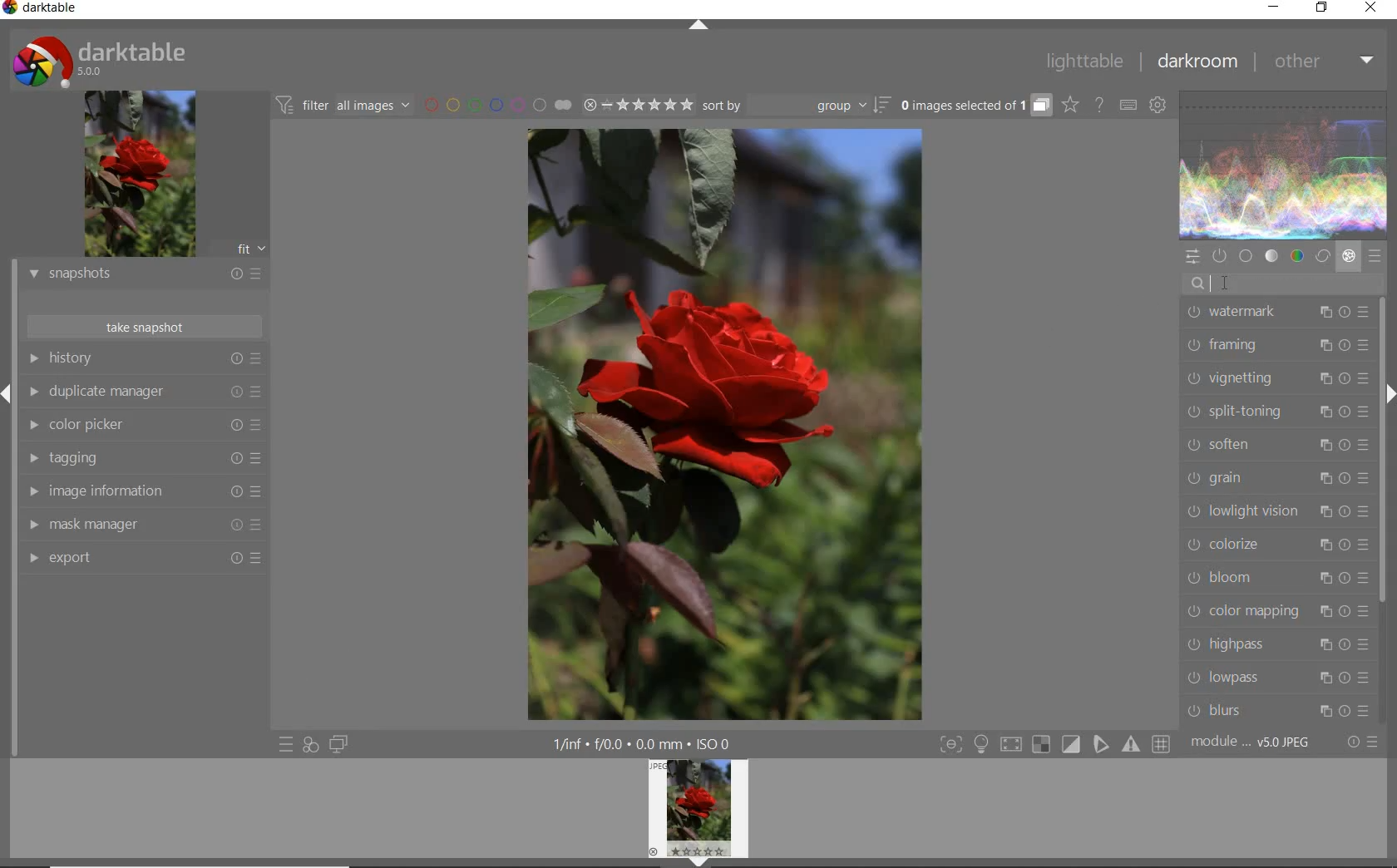  What do you see at coordinates (144, 327) in the screenshot?
I see `take snapshot` at bounding box center [144, 327].